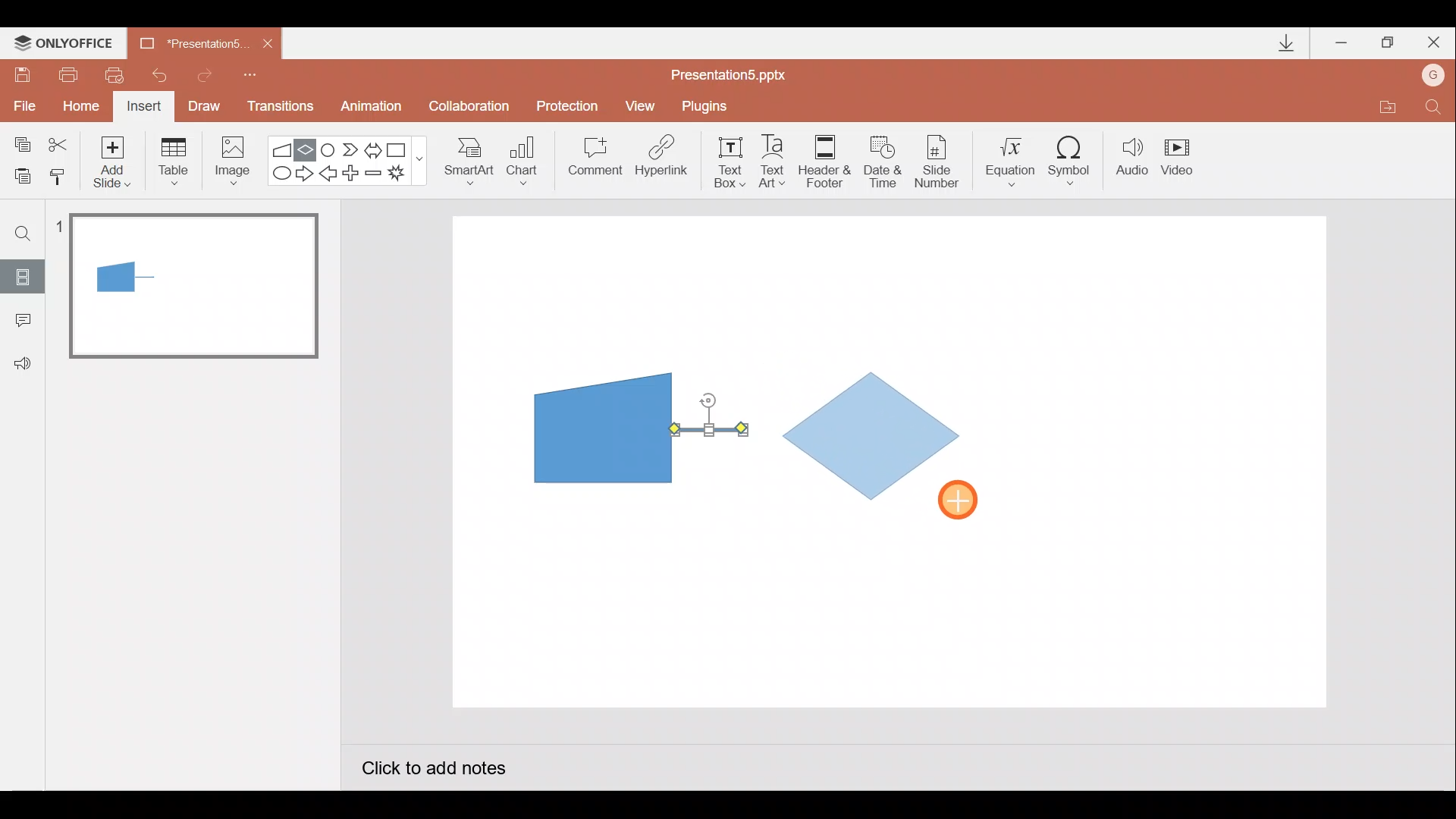 The height and width of the screenshot is (819, 1456). I want to click on Undo, so click(162, 75).